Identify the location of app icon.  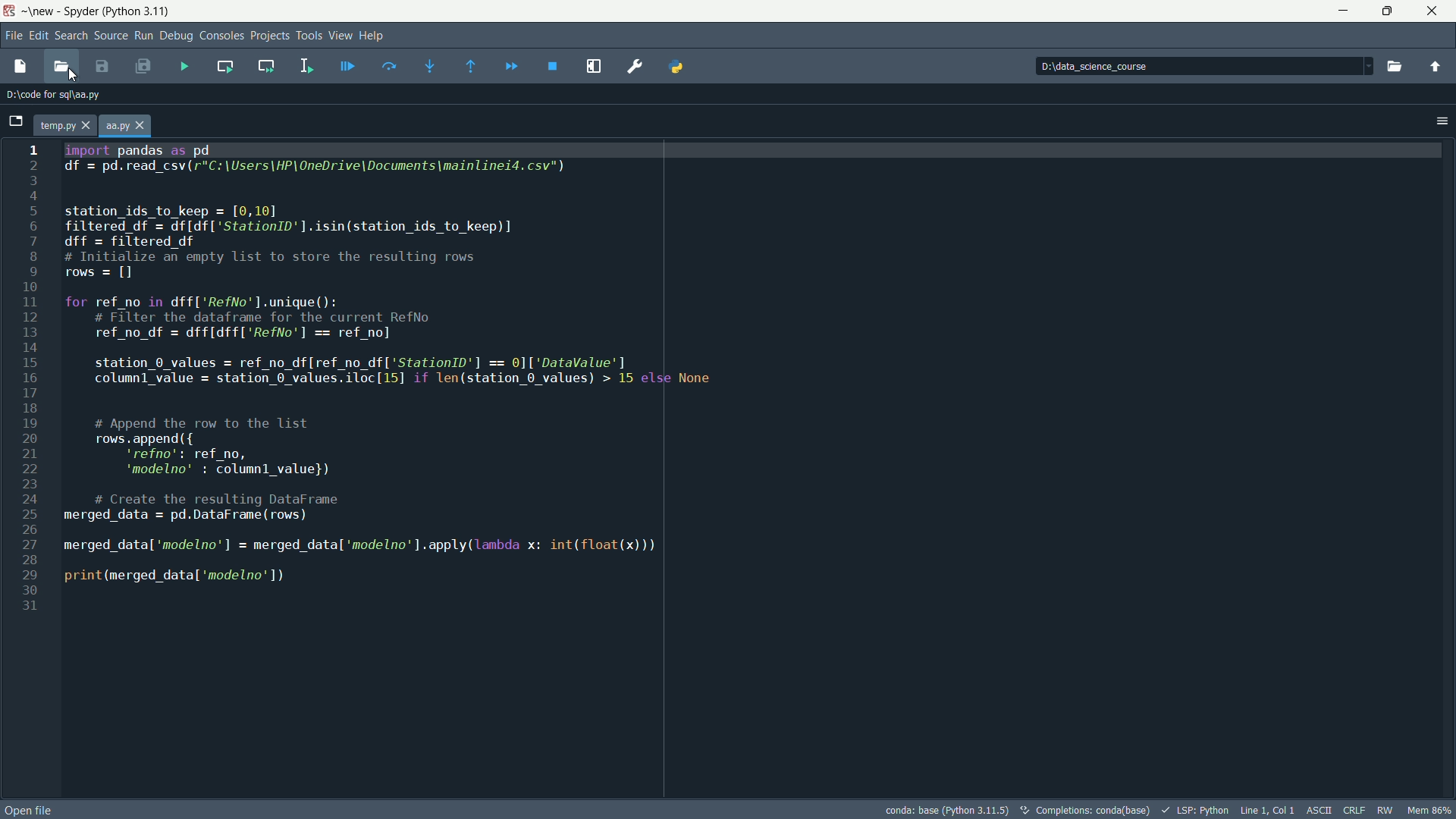
(11, 11).